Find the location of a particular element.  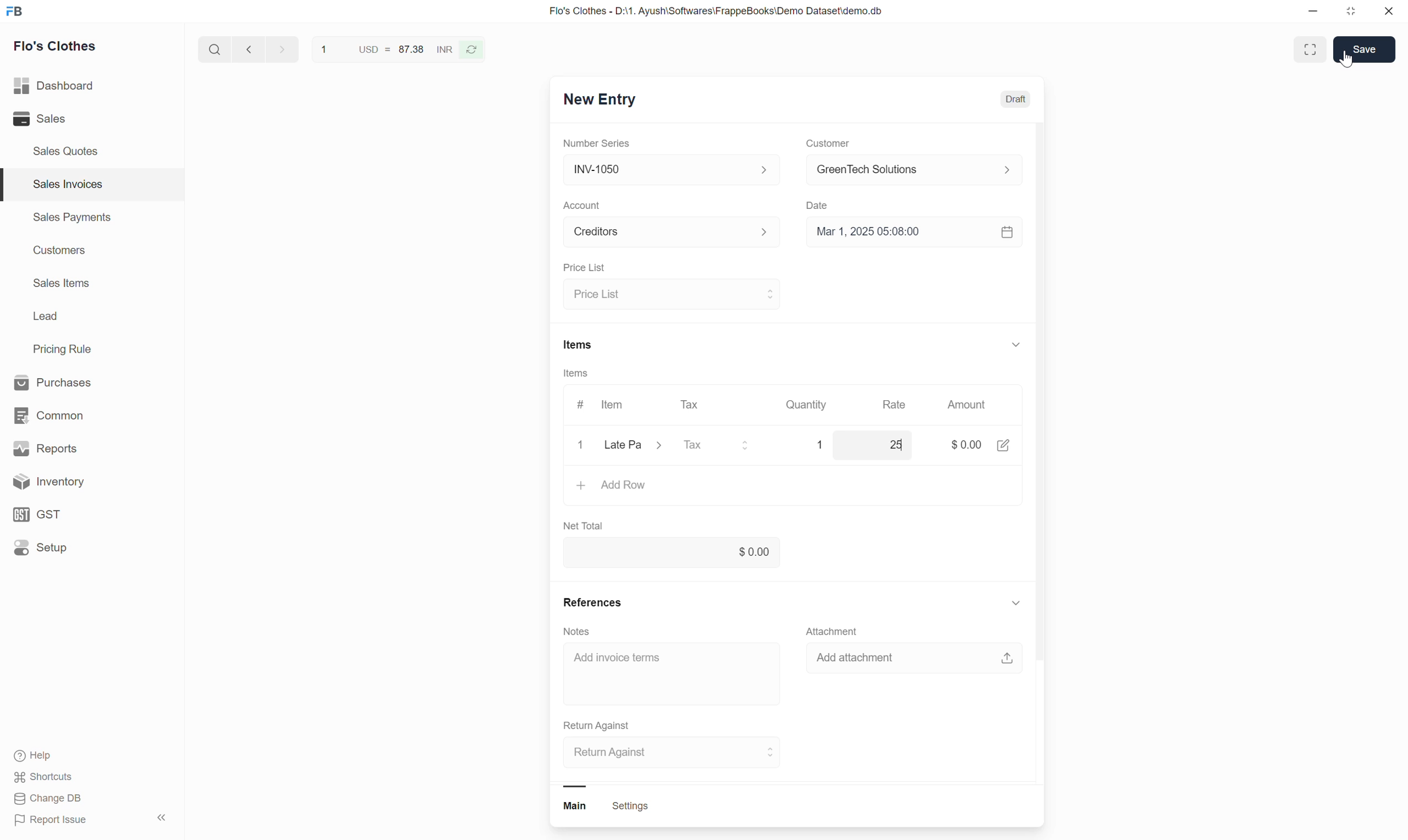

rate  is located at coordinates (883, 444).